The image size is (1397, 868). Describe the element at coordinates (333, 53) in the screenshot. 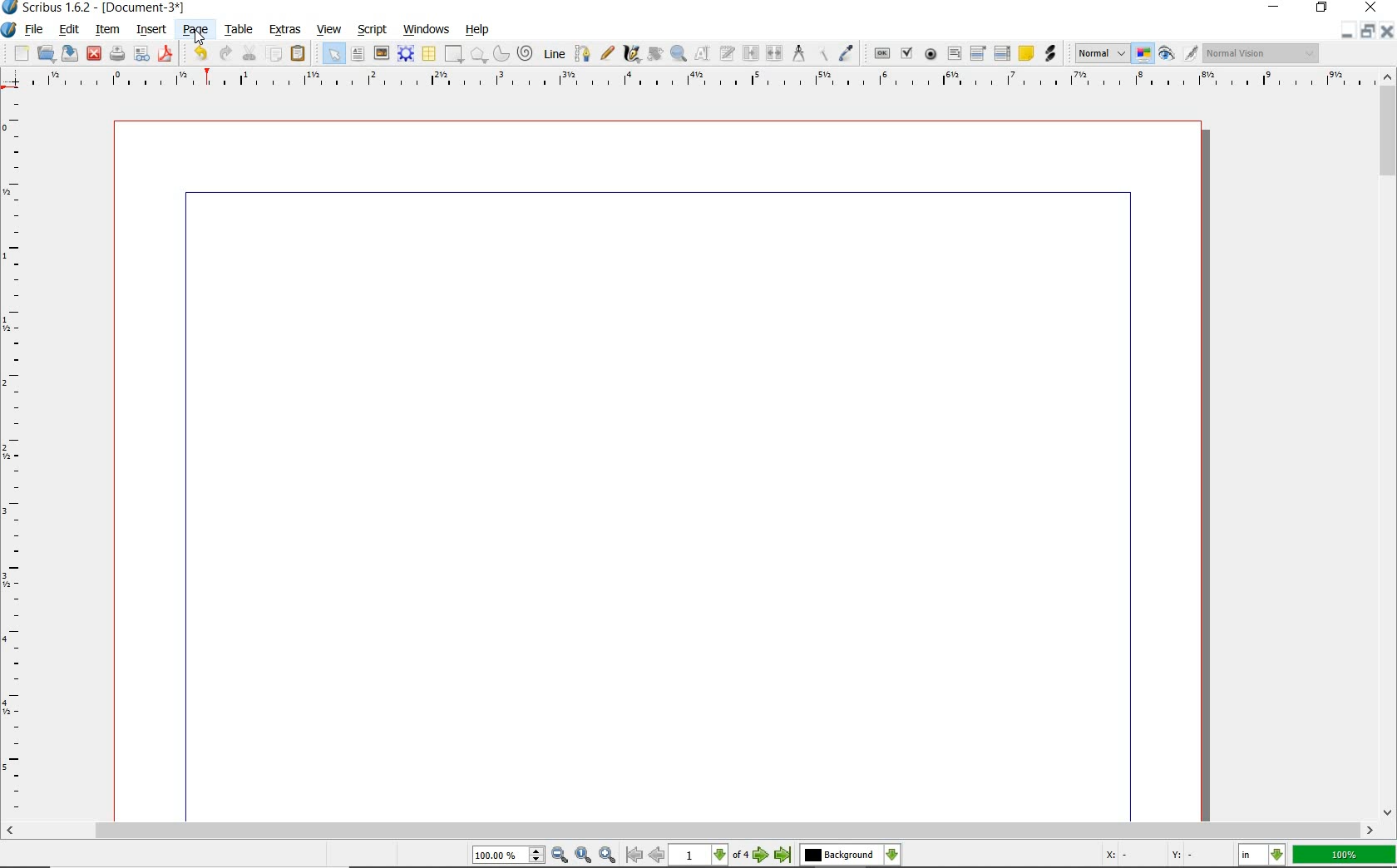

I see `select` at that location.